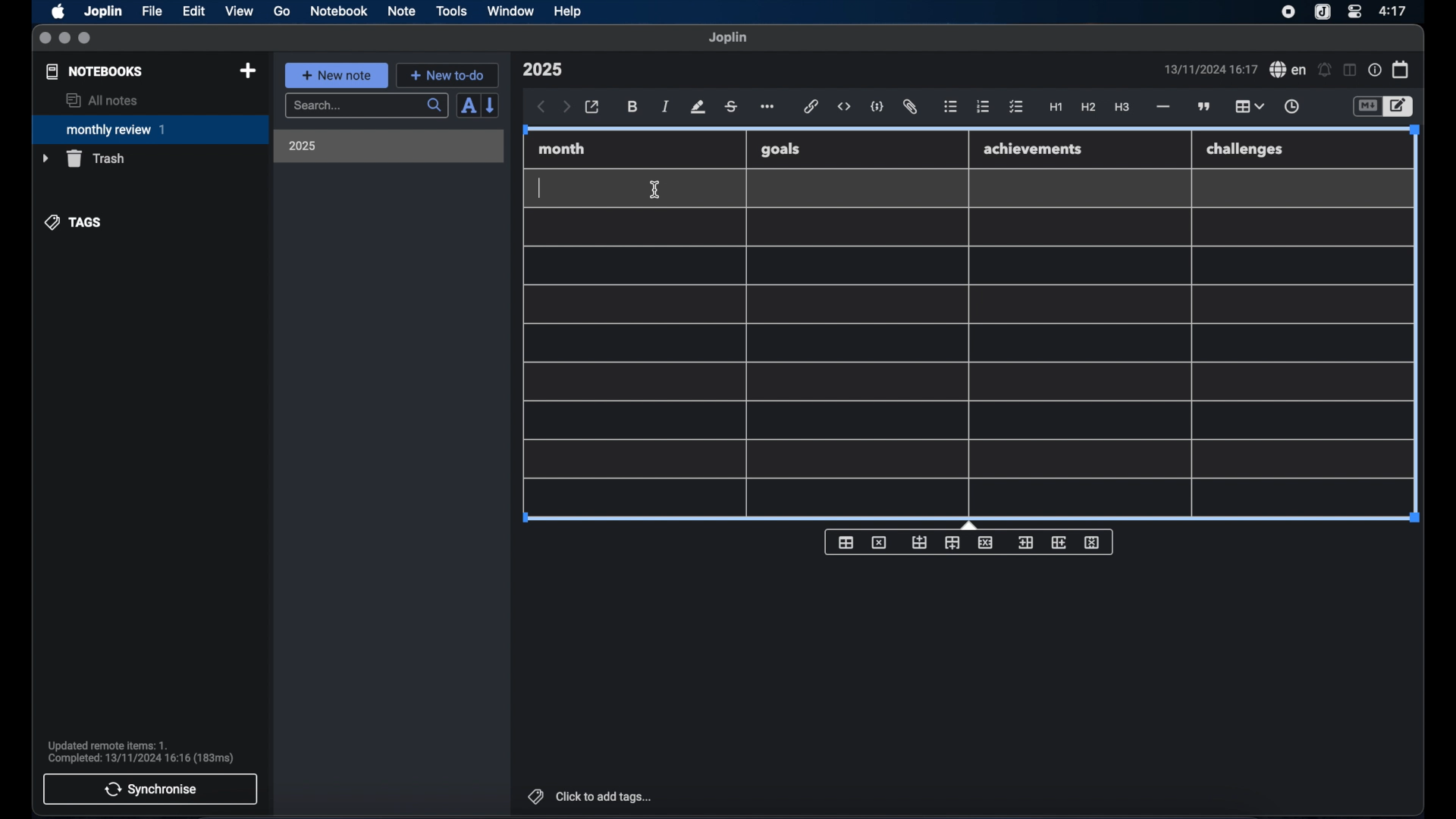 The height and width of the screenshot is (819, 1456). I want to click on joplin icon, so click(1321, 13).